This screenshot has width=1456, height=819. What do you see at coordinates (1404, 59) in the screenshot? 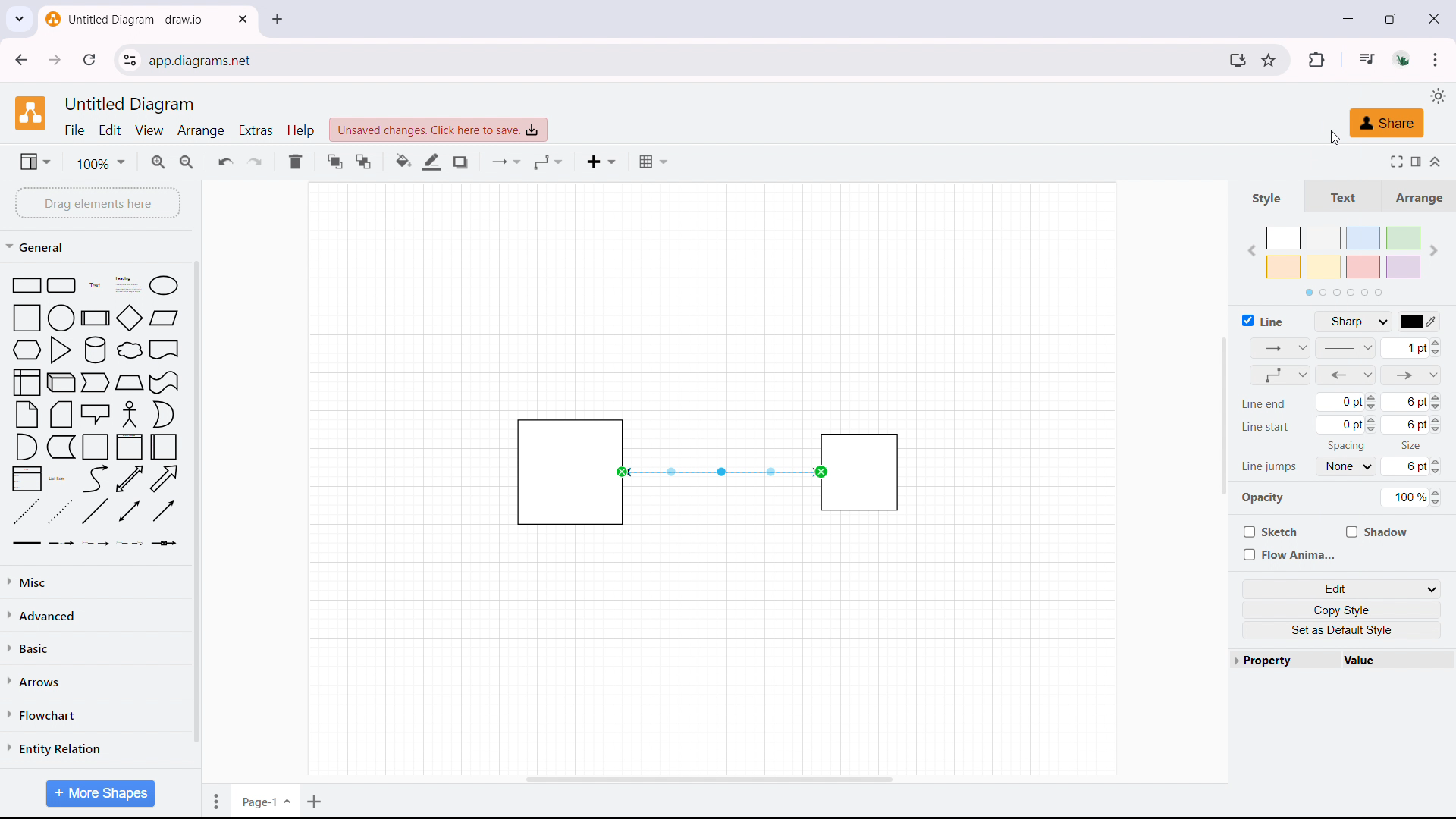
I see `account` at bounding box center [1404, 59].